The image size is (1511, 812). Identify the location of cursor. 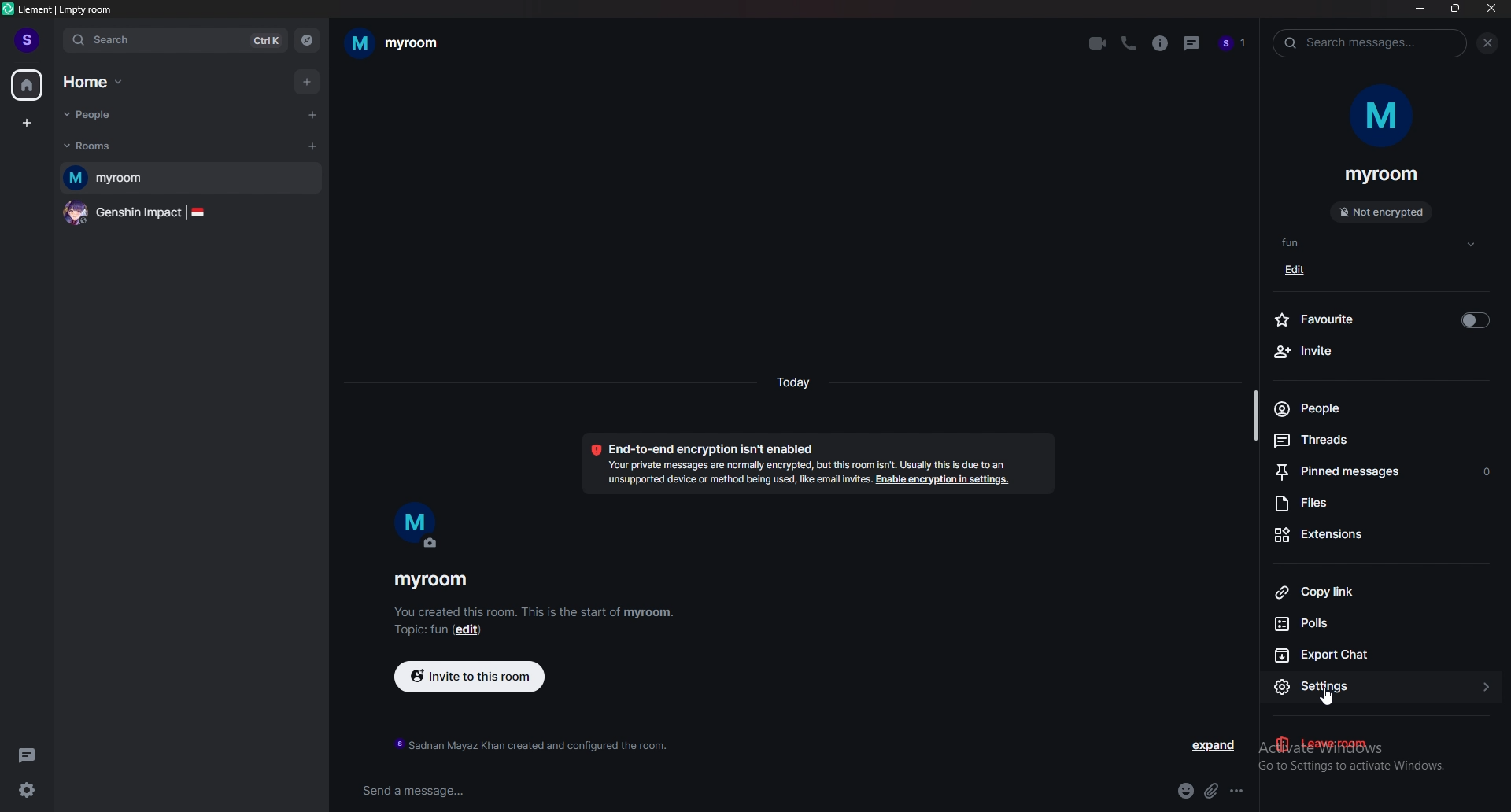
(1330, 699).